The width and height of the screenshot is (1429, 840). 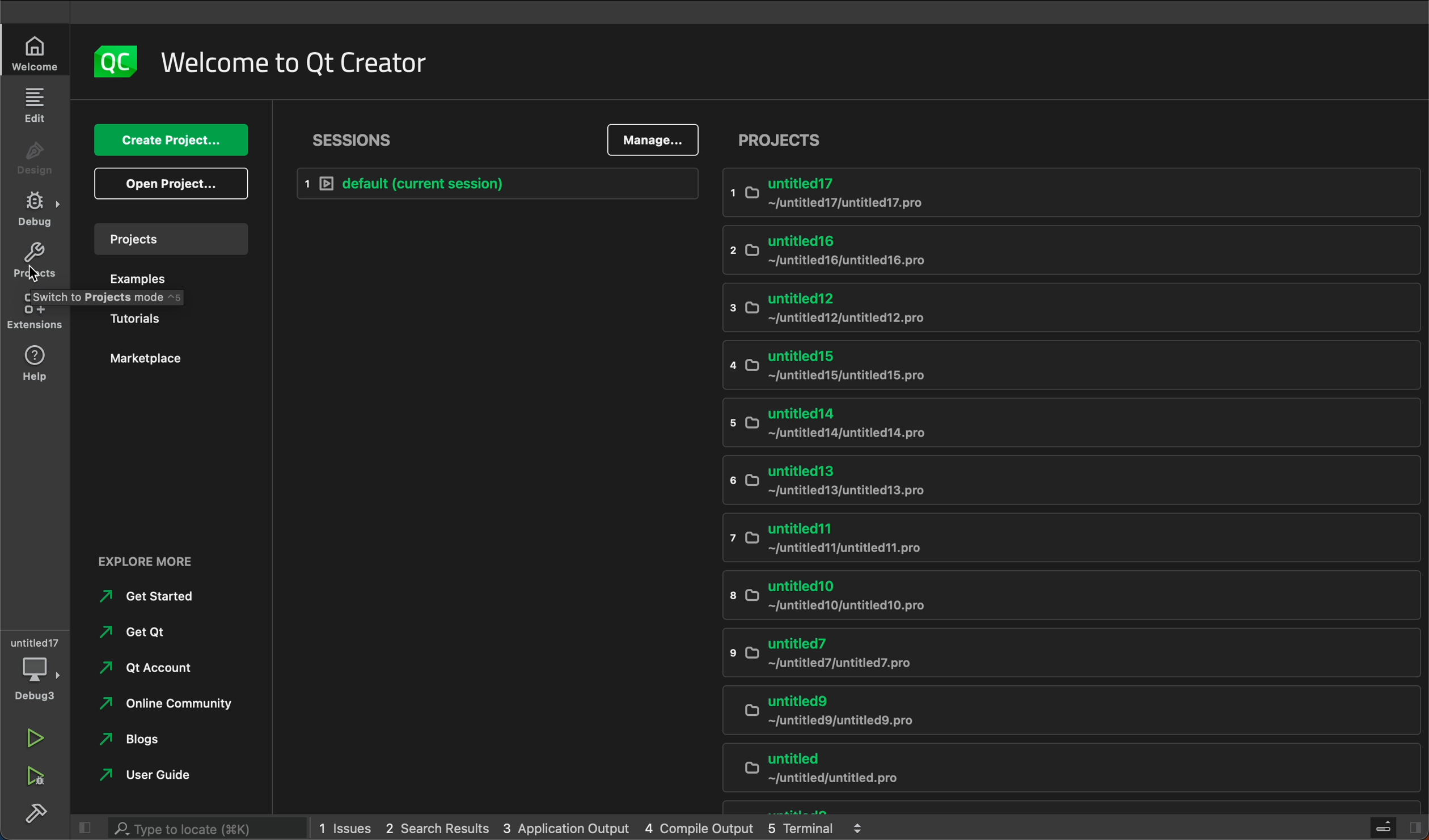 What do you see at coordinates (498, 184) in the screenshot?
I see `default` at bounding box center [498, 184].